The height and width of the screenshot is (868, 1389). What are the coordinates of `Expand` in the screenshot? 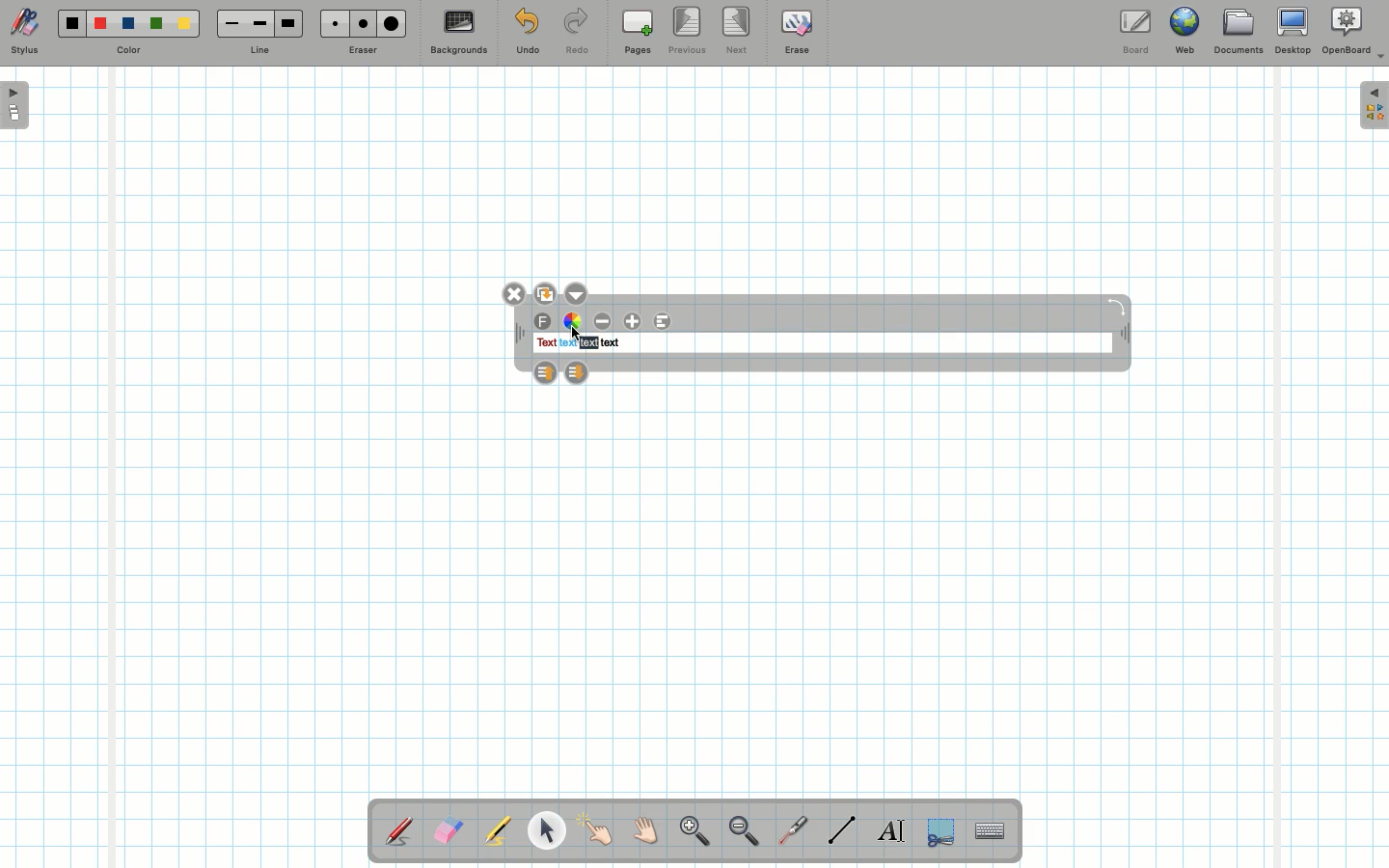 It's located at (1374, 105).